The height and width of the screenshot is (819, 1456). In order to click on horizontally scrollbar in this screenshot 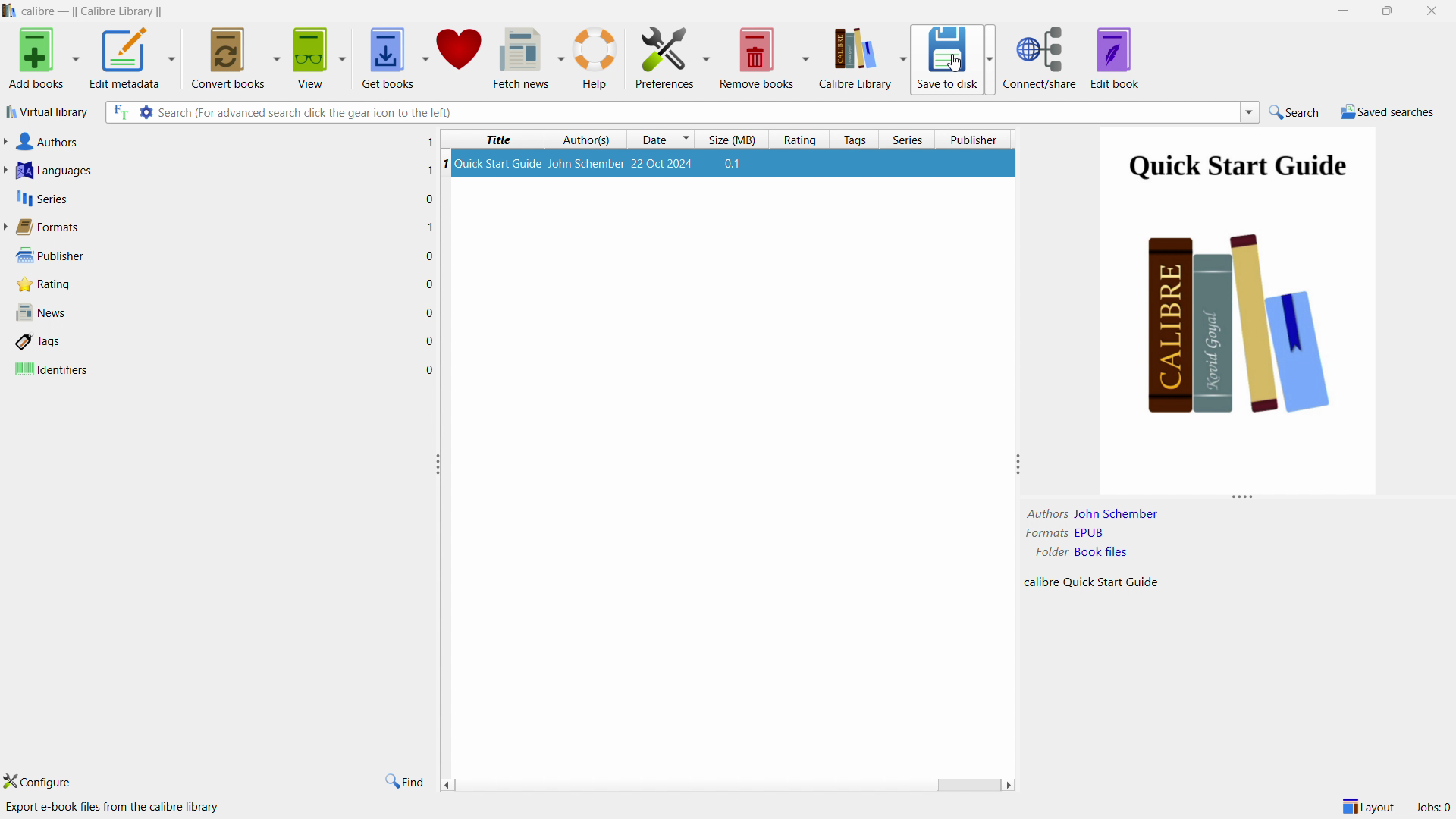, I will do `click(730, 785)`.